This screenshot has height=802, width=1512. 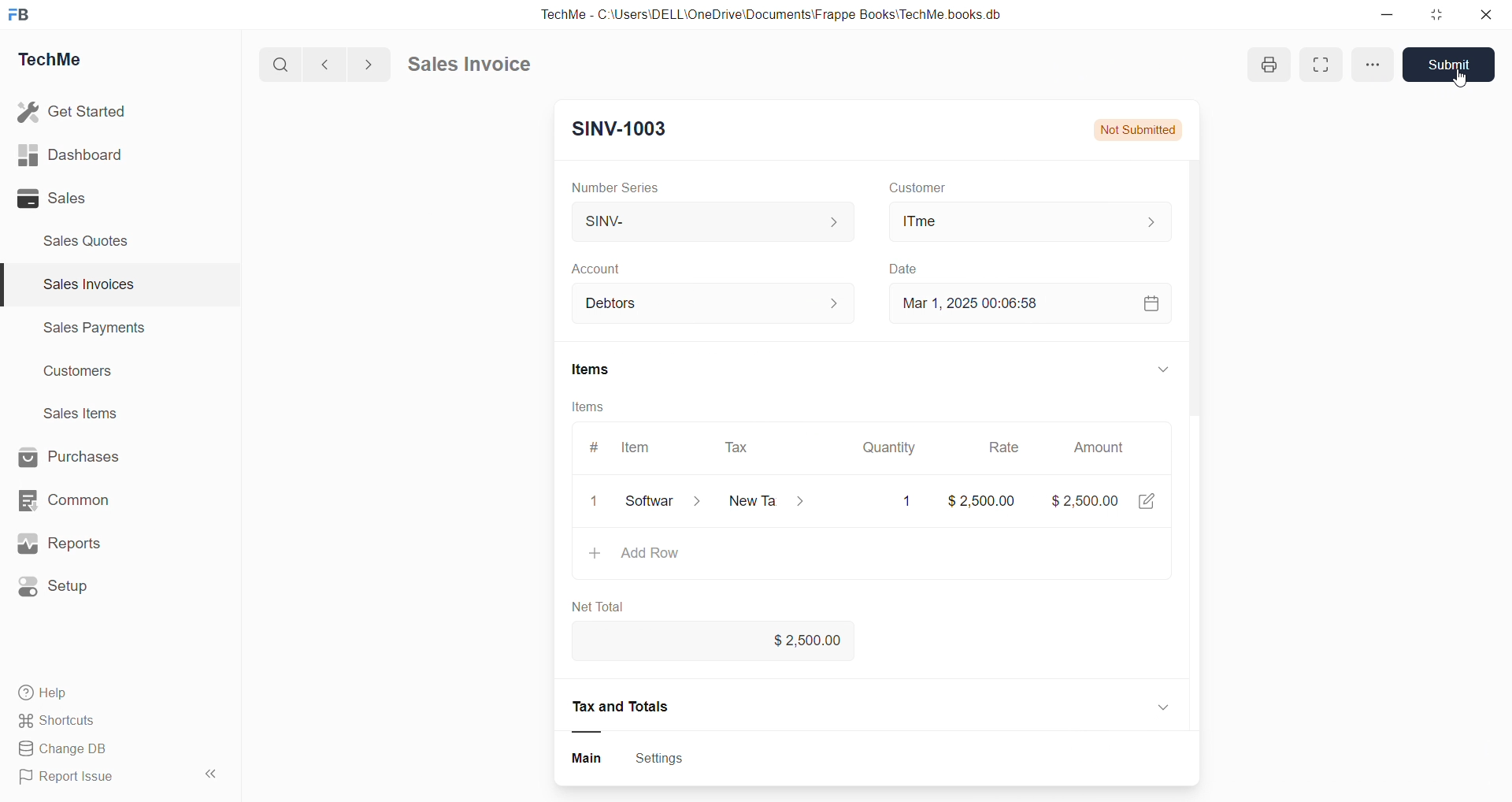 I want to click on @ Setup, so click(x=62, y=592).